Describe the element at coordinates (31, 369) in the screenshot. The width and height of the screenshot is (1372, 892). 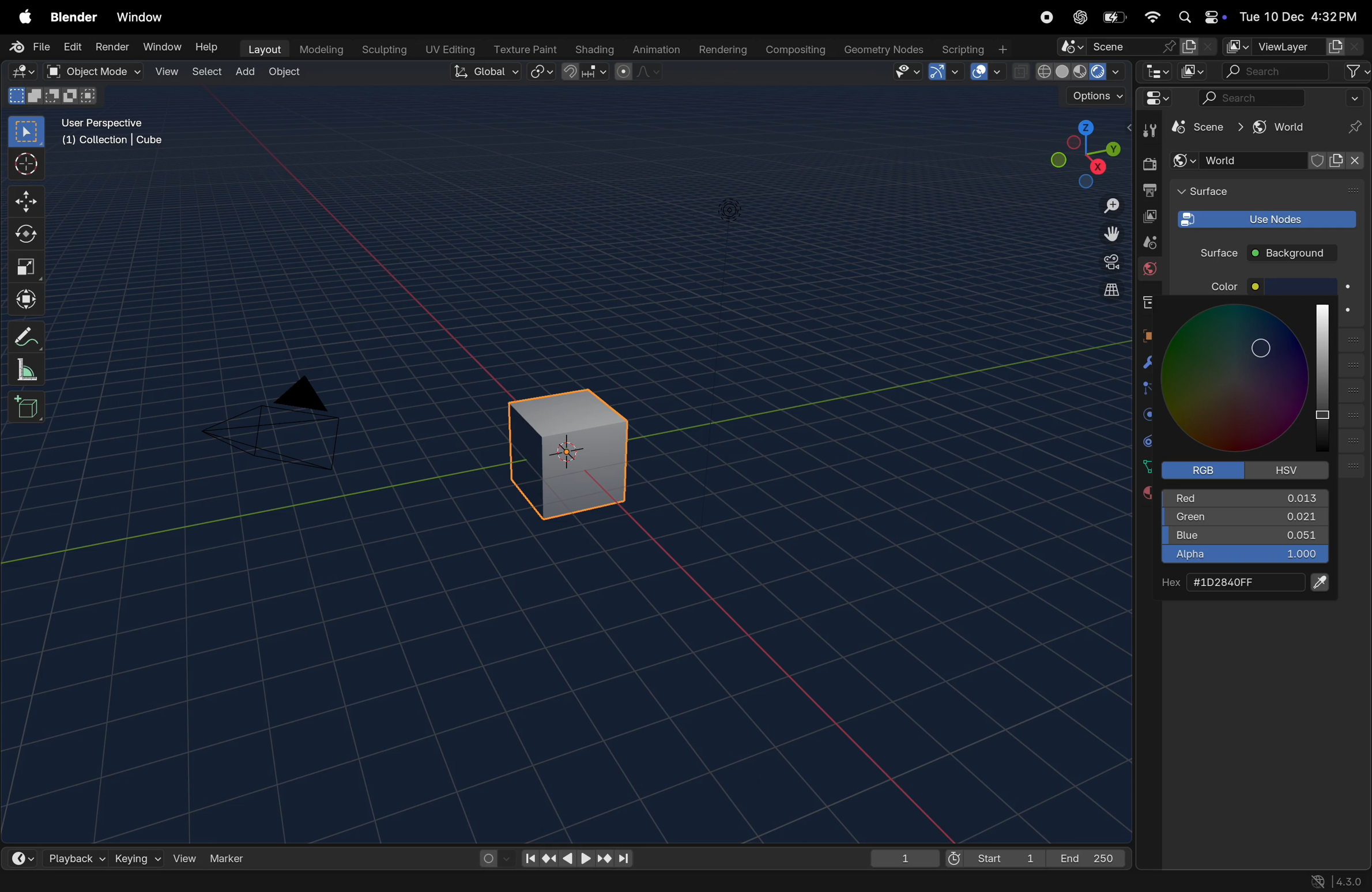
I see `scale` at that location.